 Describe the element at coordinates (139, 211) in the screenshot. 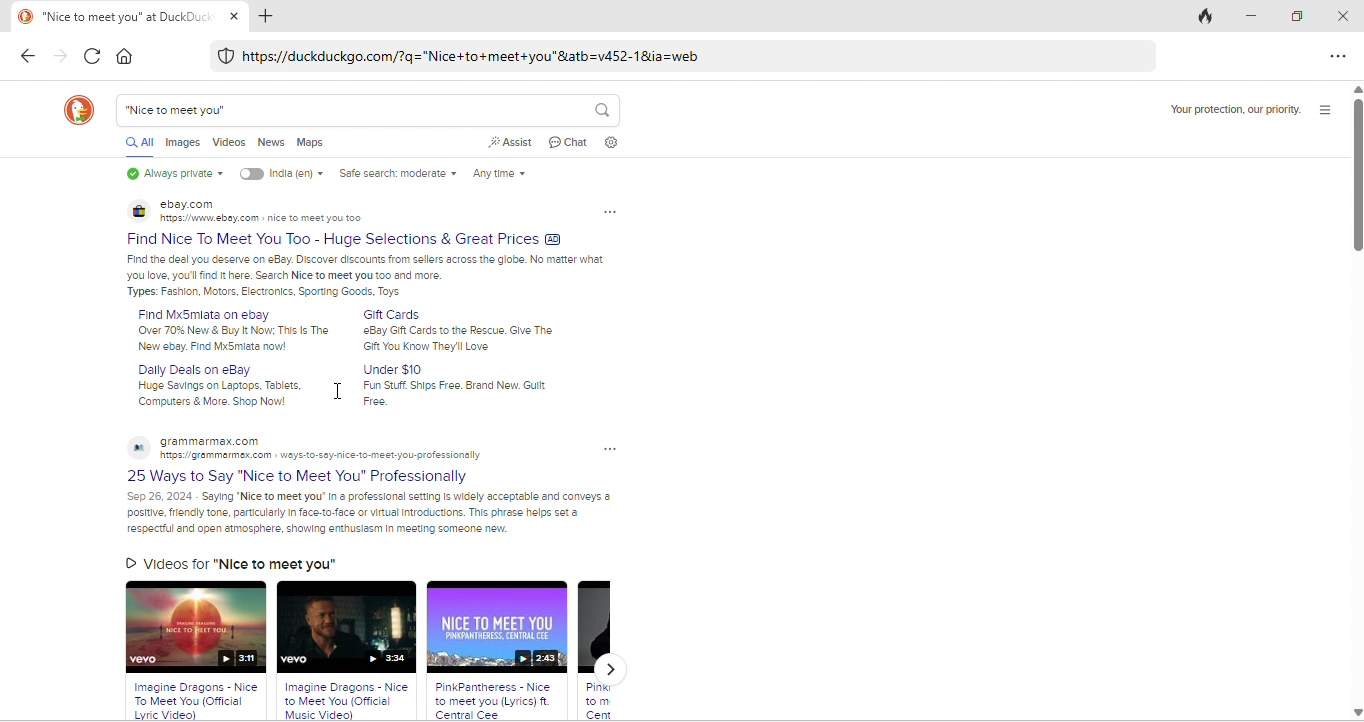

I see `Pictures` at that location.